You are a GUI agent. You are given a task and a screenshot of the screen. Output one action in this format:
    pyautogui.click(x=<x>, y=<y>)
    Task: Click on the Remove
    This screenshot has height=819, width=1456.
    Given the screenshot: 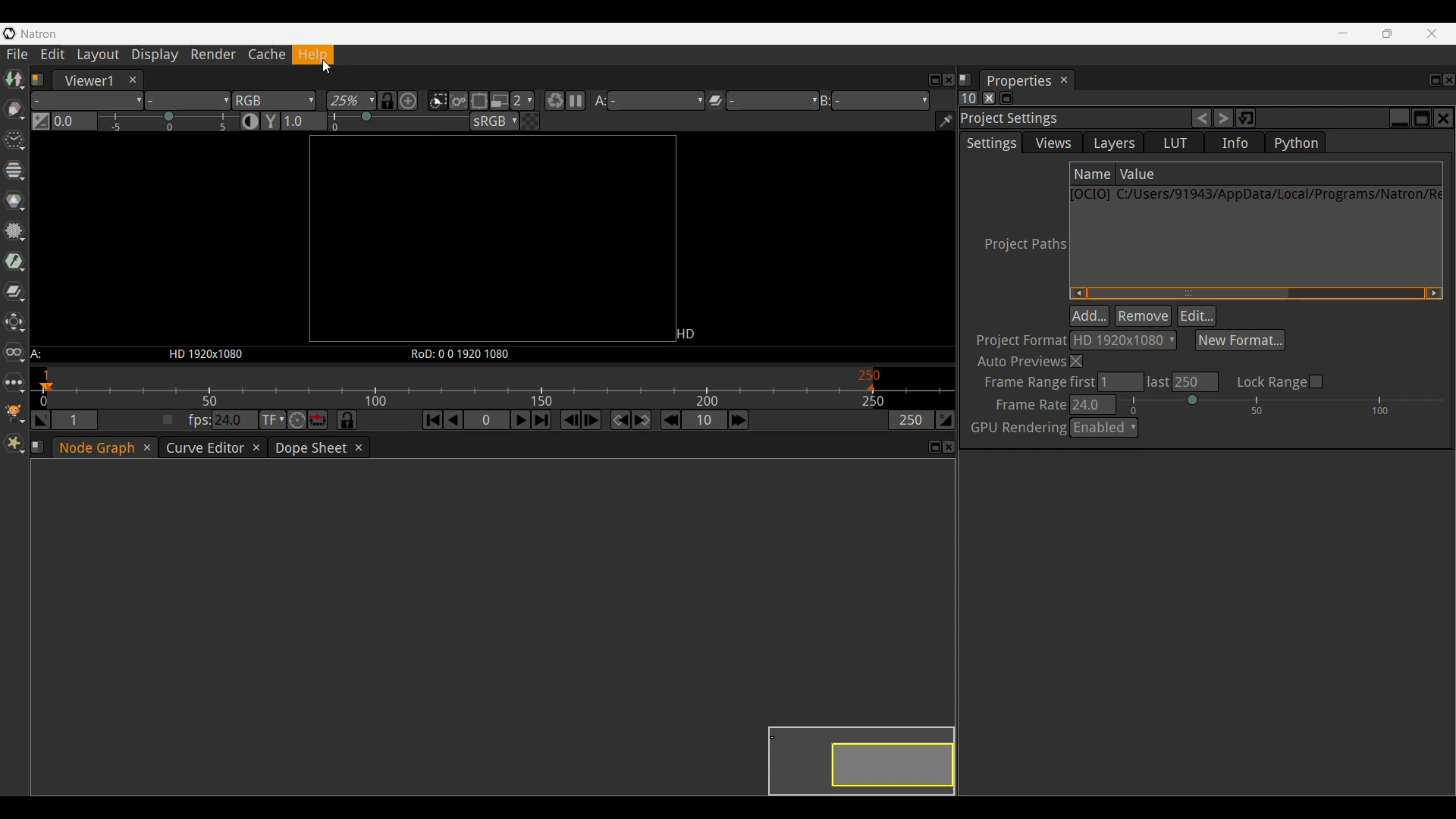 What is the action you would take?
    pyautogui.click(x=1144, y=315)
    